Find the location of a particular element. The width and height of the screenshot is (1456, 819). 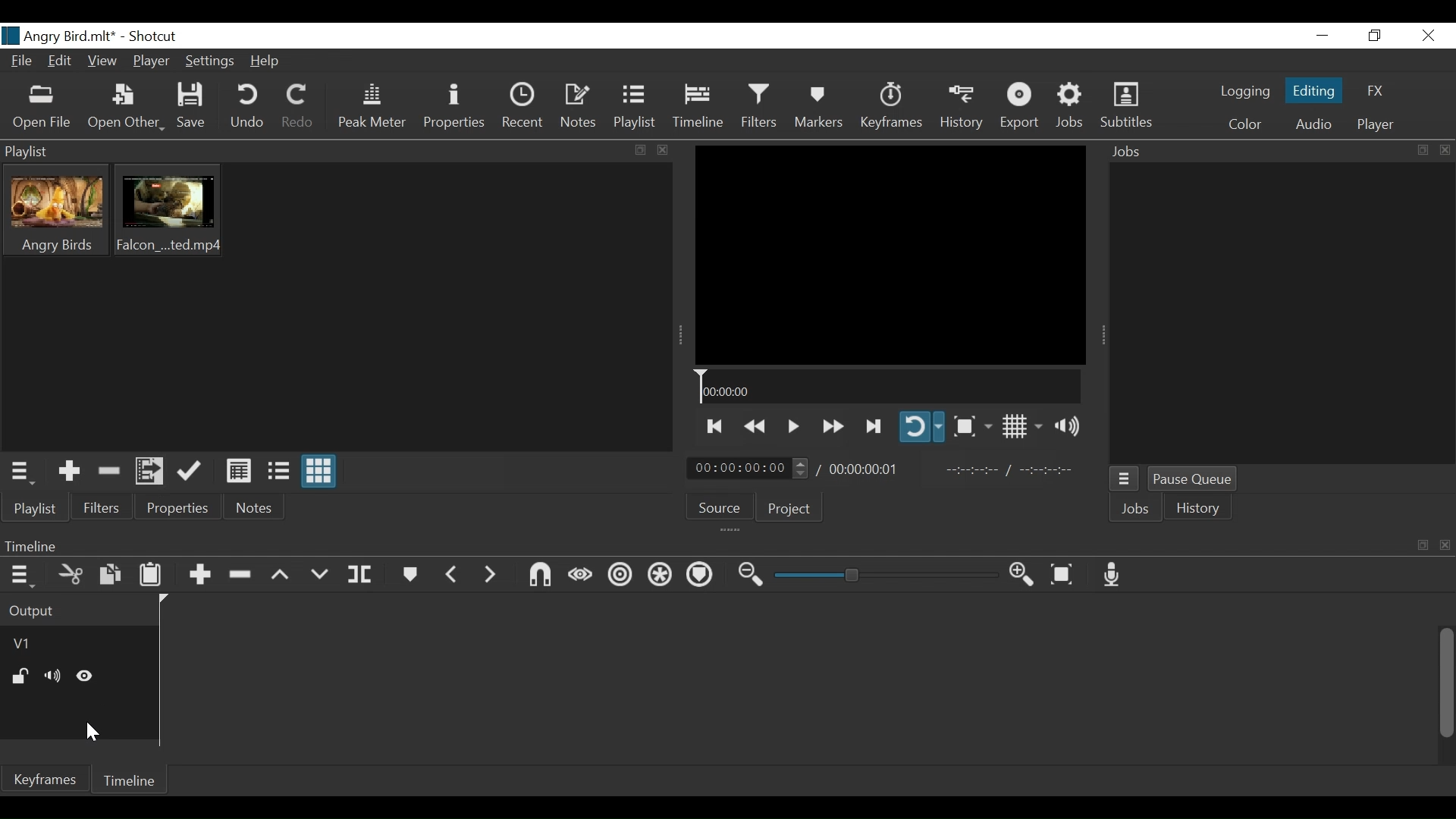

Split at playhead is located at coordinates (360, 574).